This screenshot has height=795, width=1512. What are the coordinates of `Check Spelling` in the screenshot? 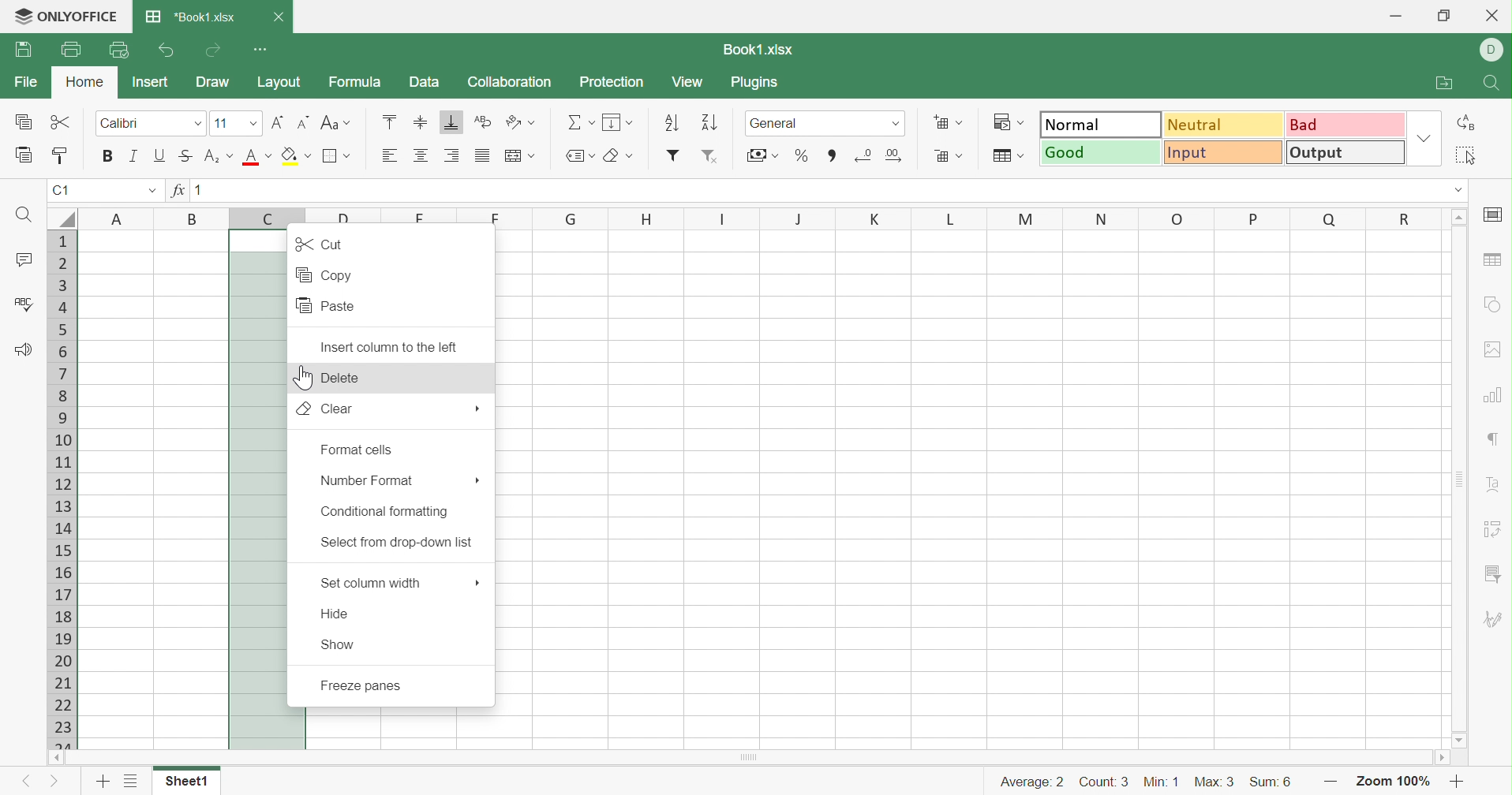 It's located at (19, 301).